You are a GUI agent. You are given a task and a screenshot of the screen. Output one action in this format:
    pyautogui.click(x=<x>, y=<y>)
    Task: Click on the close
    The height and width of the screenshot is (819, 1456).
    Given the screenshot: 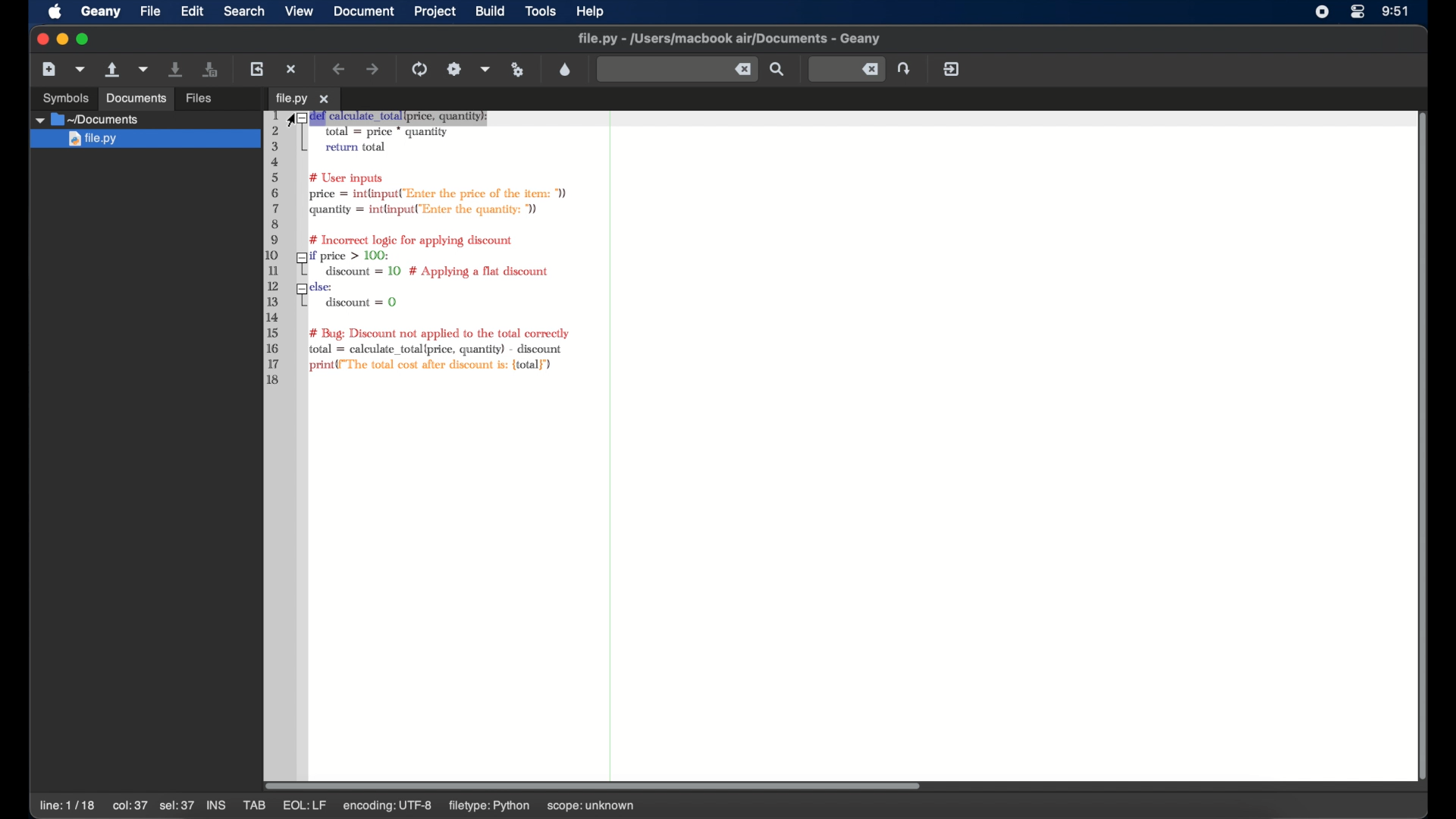 What is the action you would take?
    pyautogui.click(x=41, y=39)
    